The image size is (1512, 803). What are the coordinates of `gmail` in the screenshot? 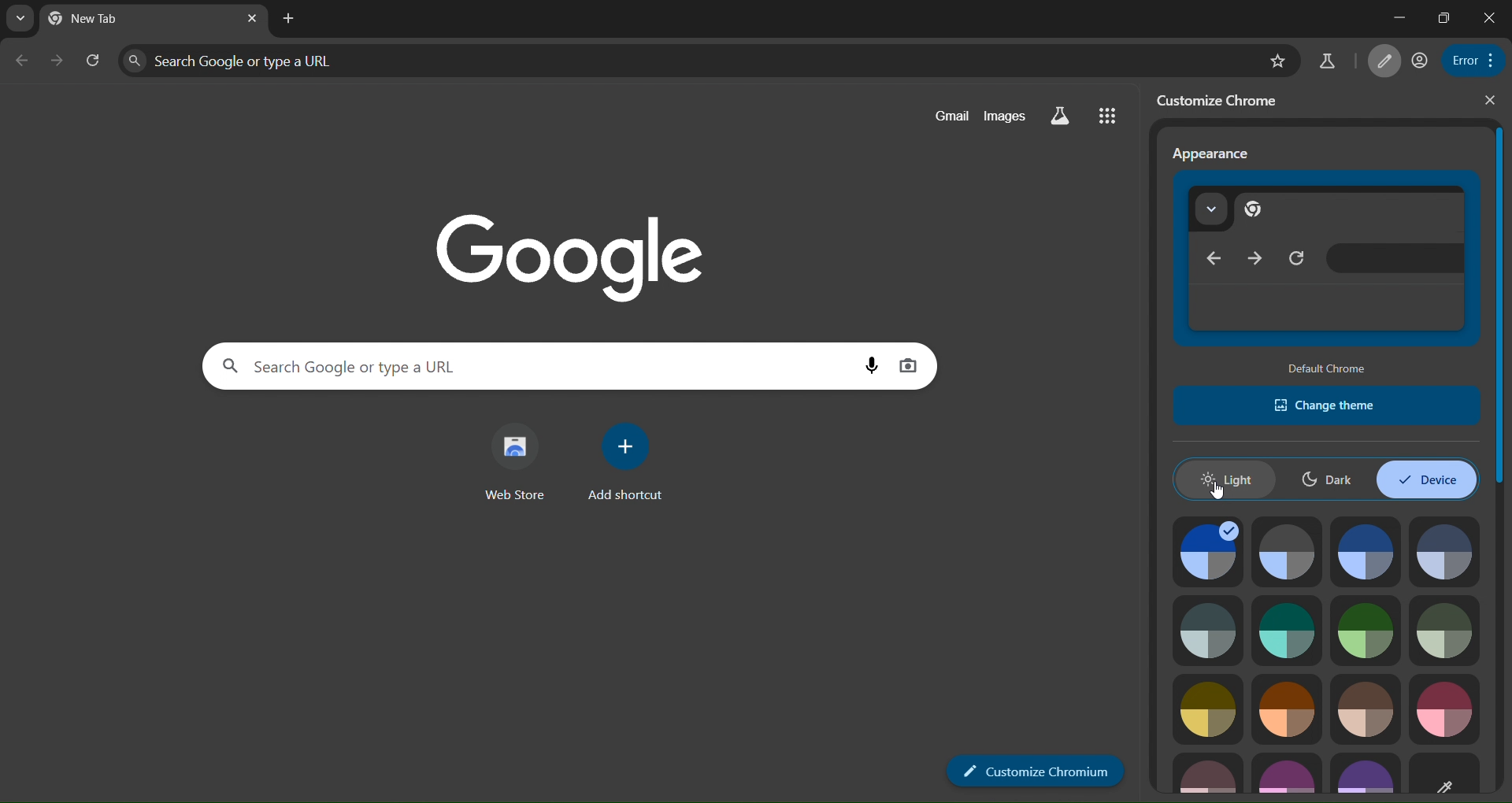 It's located at (954, 113).